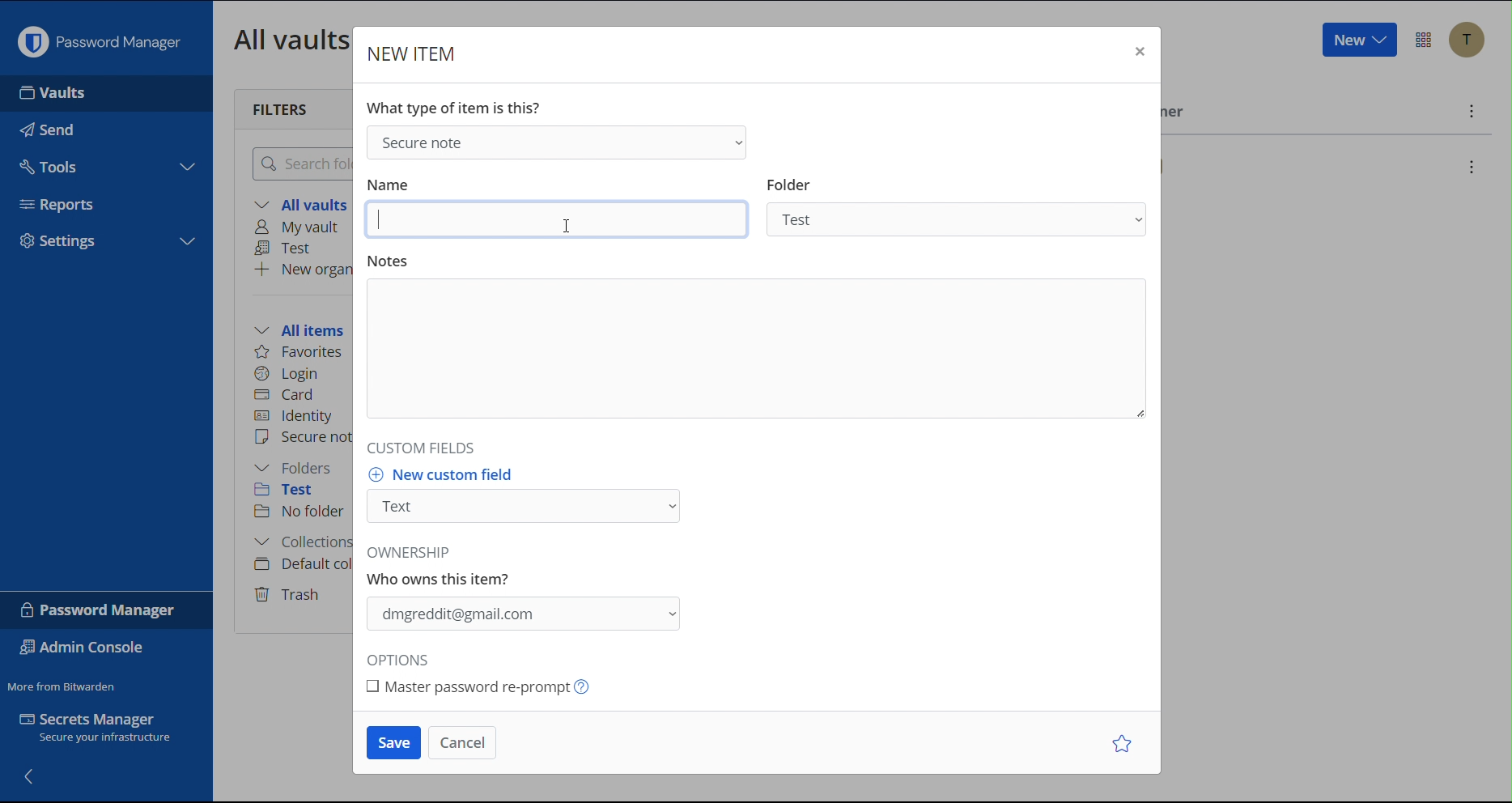  Describe the element at coordinates (290, 592) in the screenshot. I see `Trash` at that location.